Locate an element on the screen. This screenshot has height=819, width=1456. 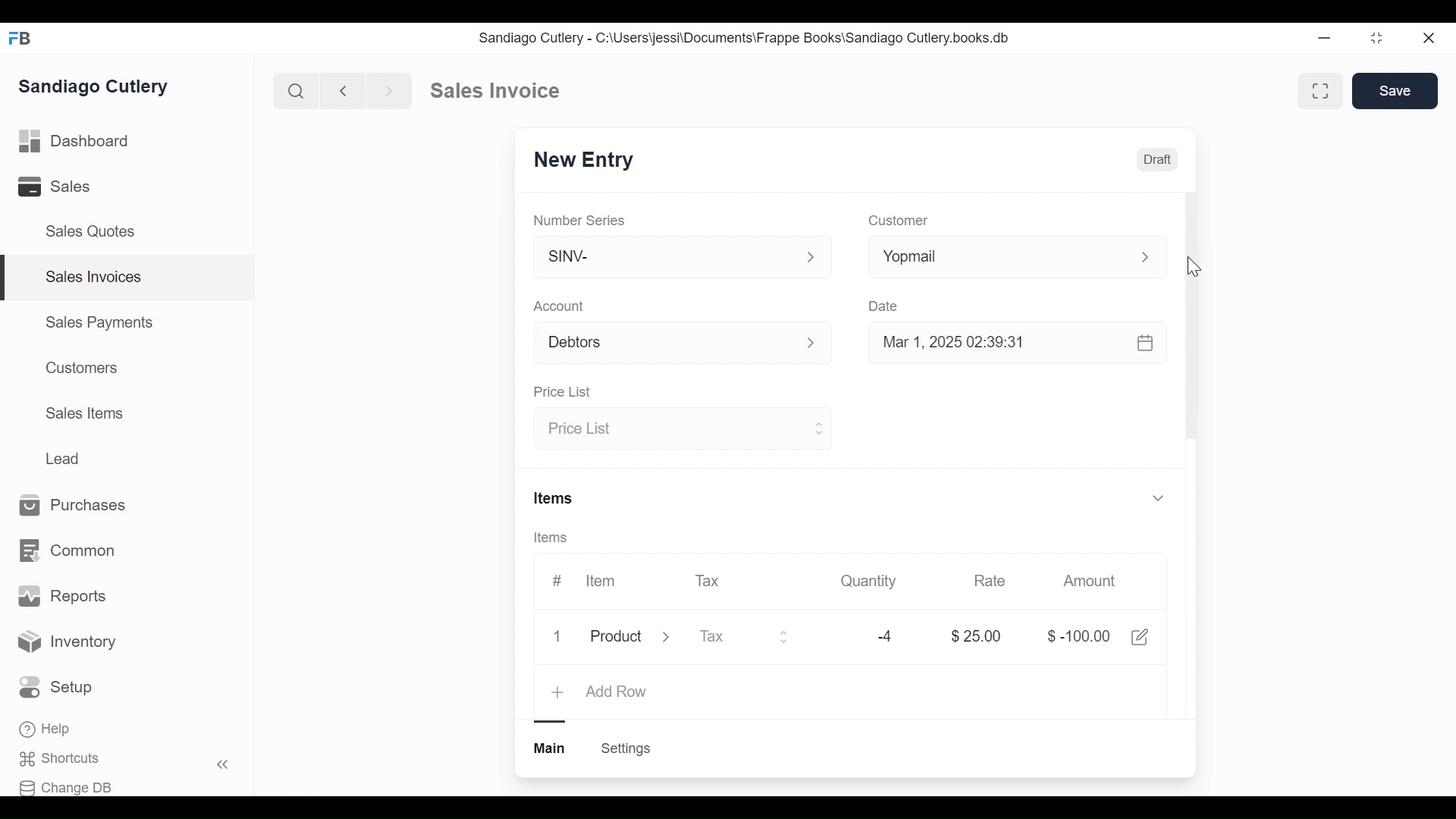
Draft is located at coordinates (1157, 159).